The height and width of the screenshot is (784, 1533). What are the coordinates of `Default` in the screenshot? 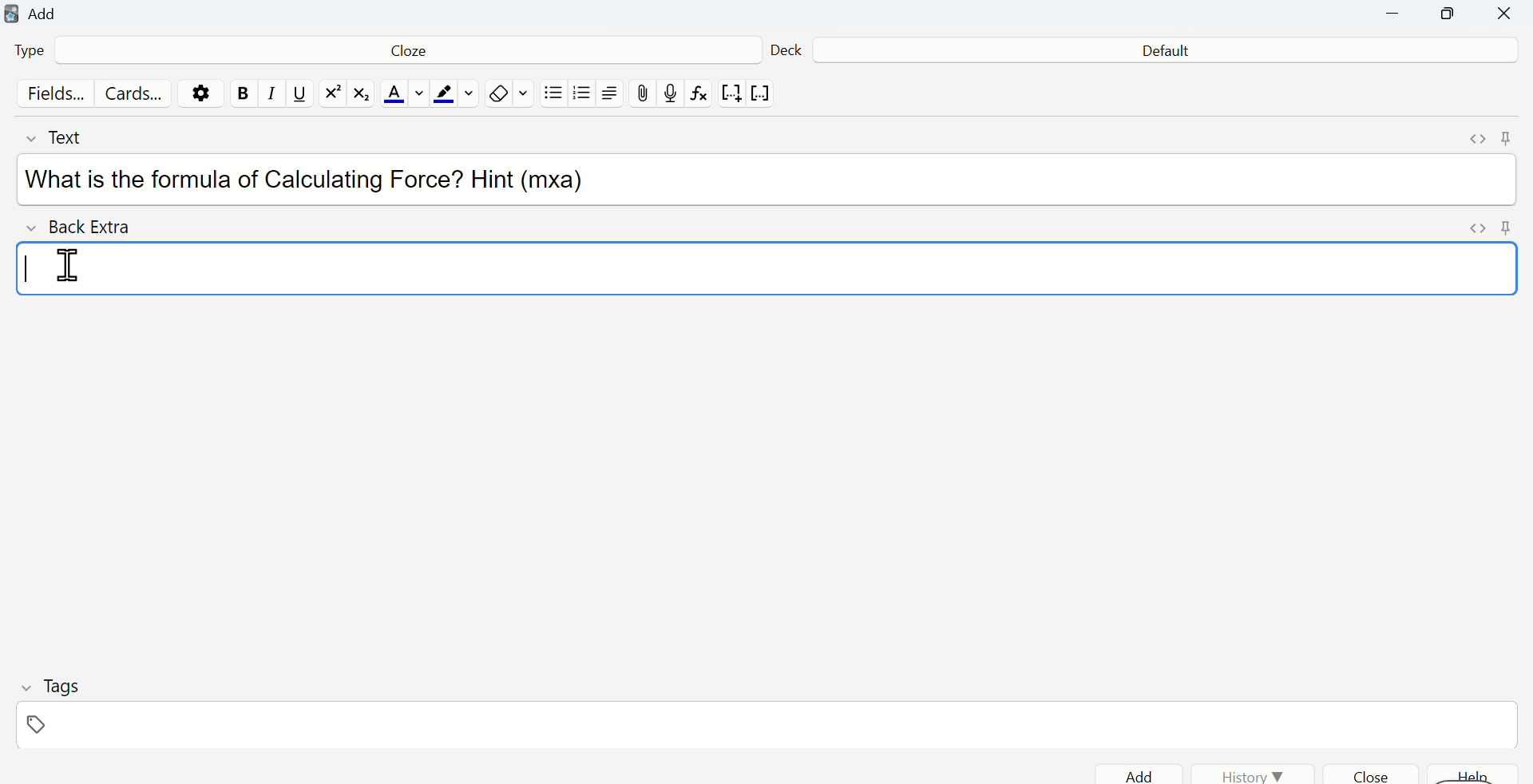 It's located at (1159, 52).